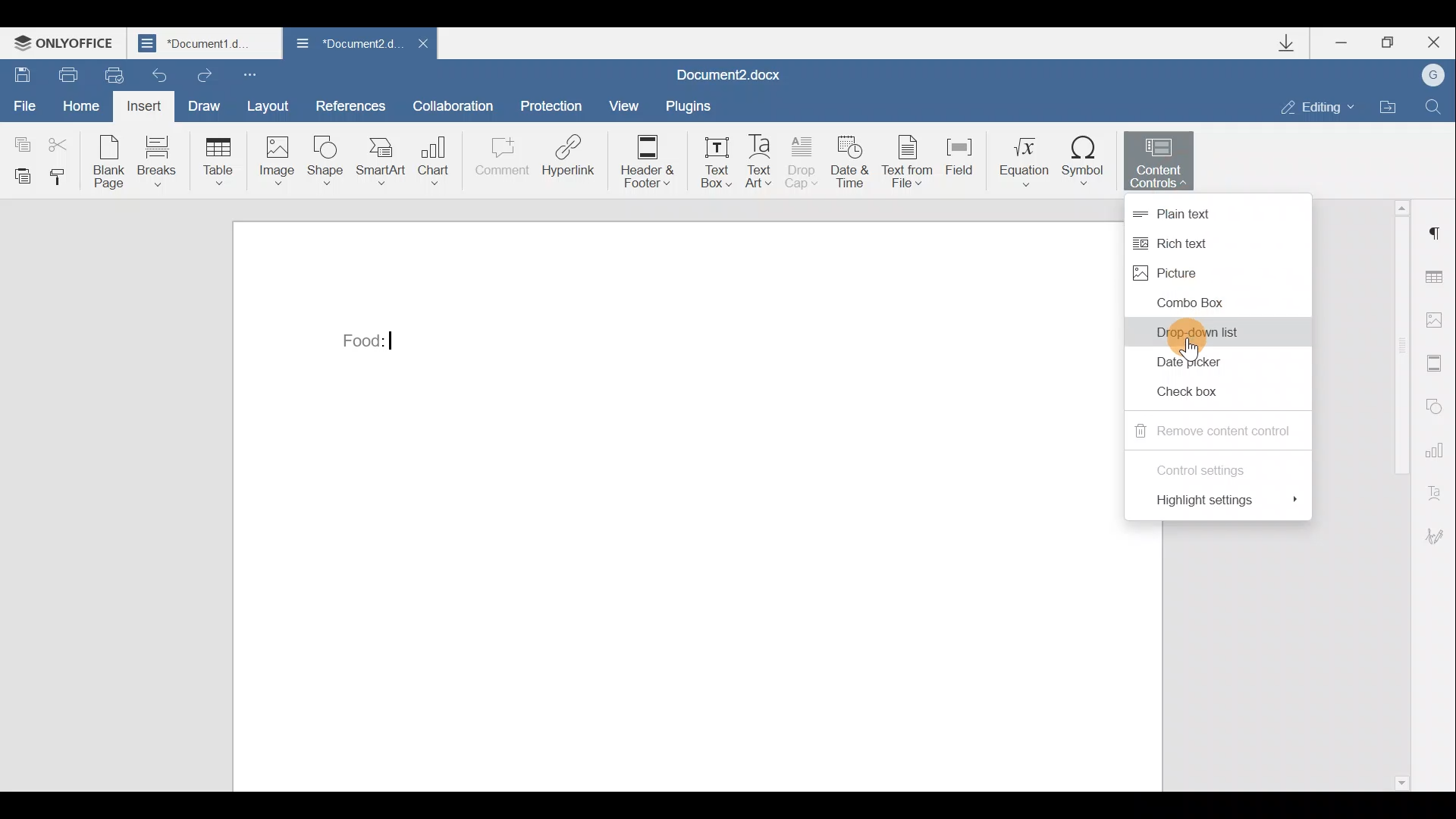  I want to click on Picture, so click(1193, 275).